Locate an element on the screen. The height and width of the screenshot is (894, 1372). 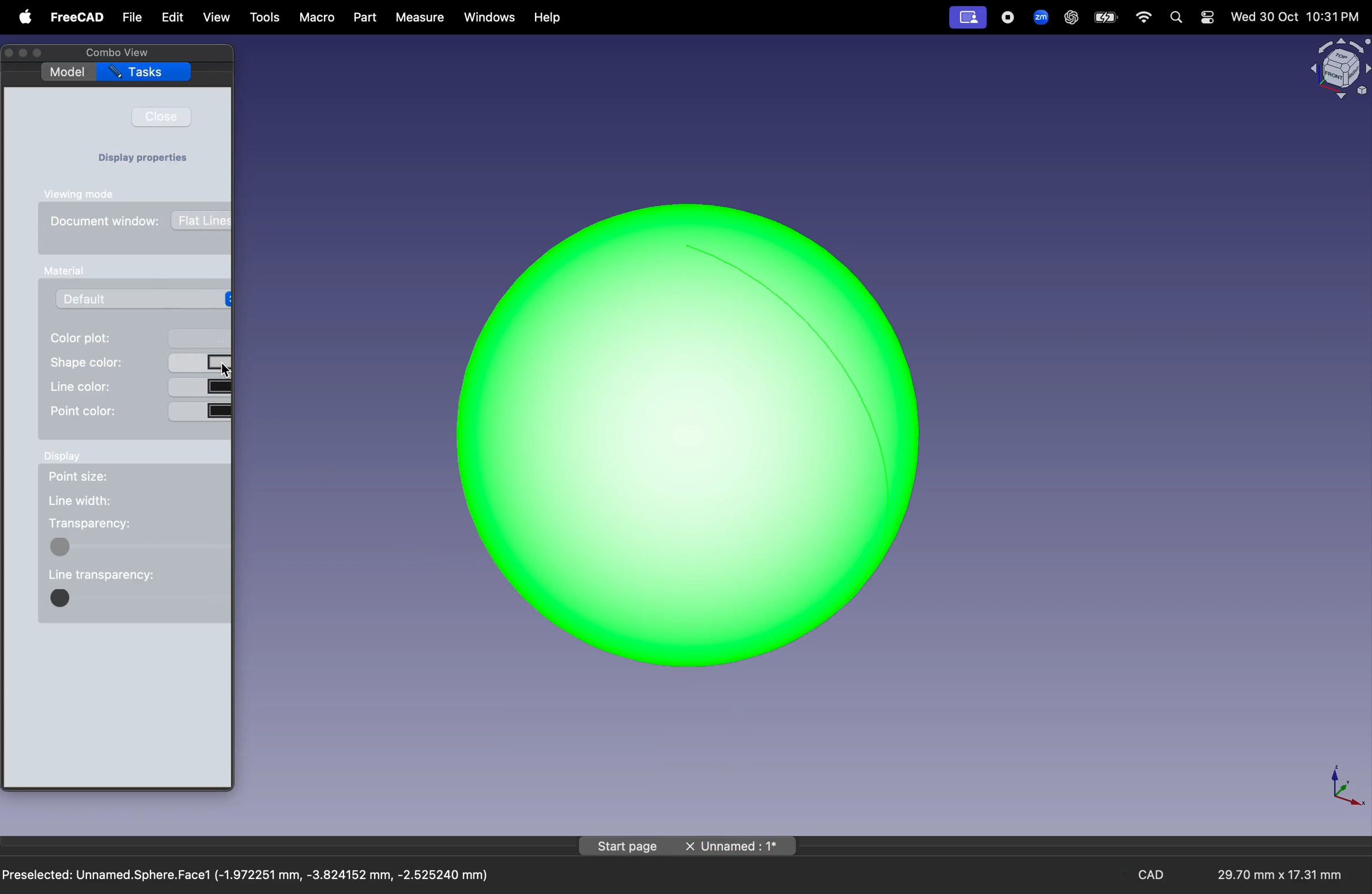
profile  is located at coordinates (967, 18).